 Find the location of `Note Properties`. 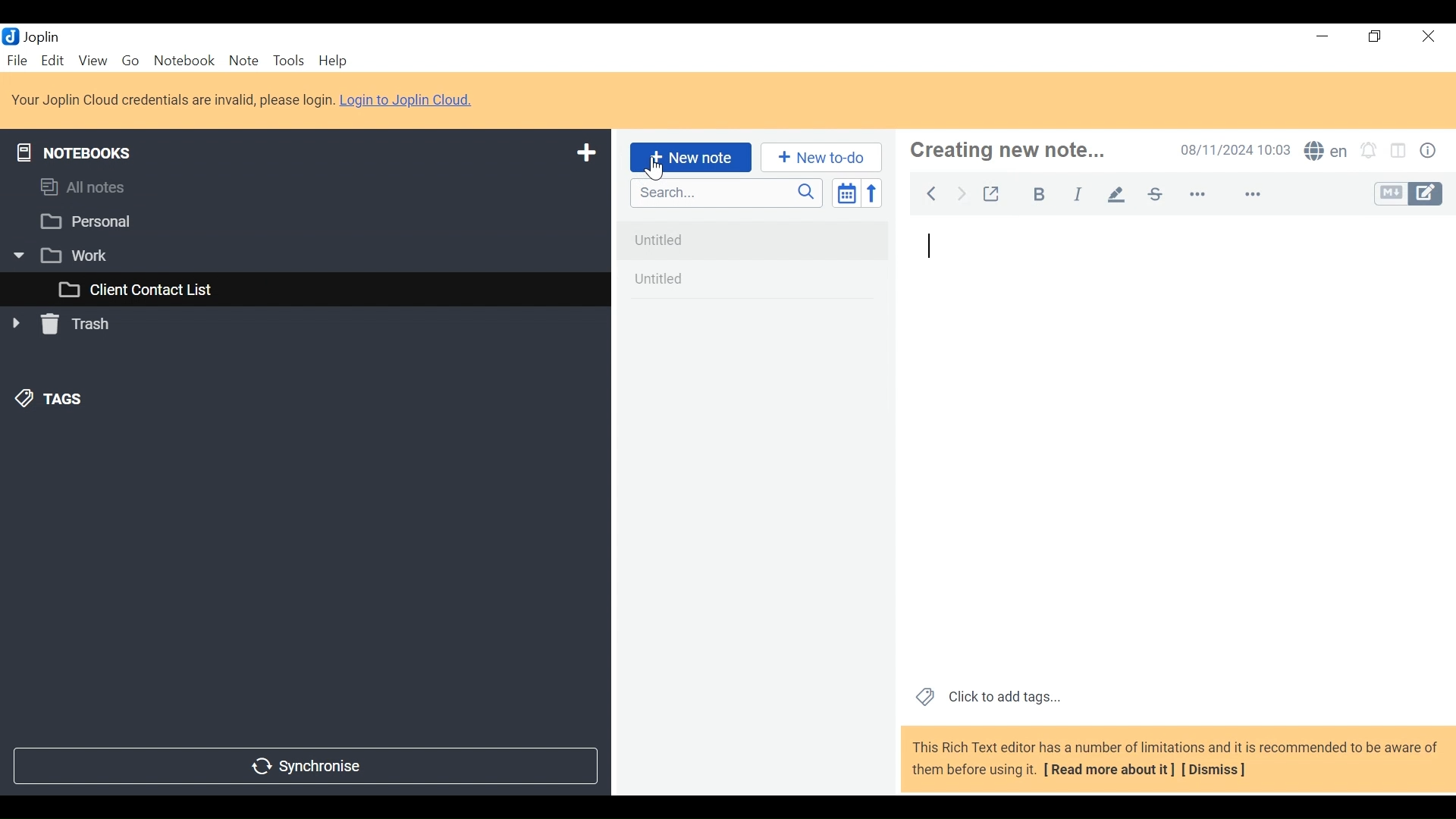

Note Properties is located at coordinates (1428, 149).